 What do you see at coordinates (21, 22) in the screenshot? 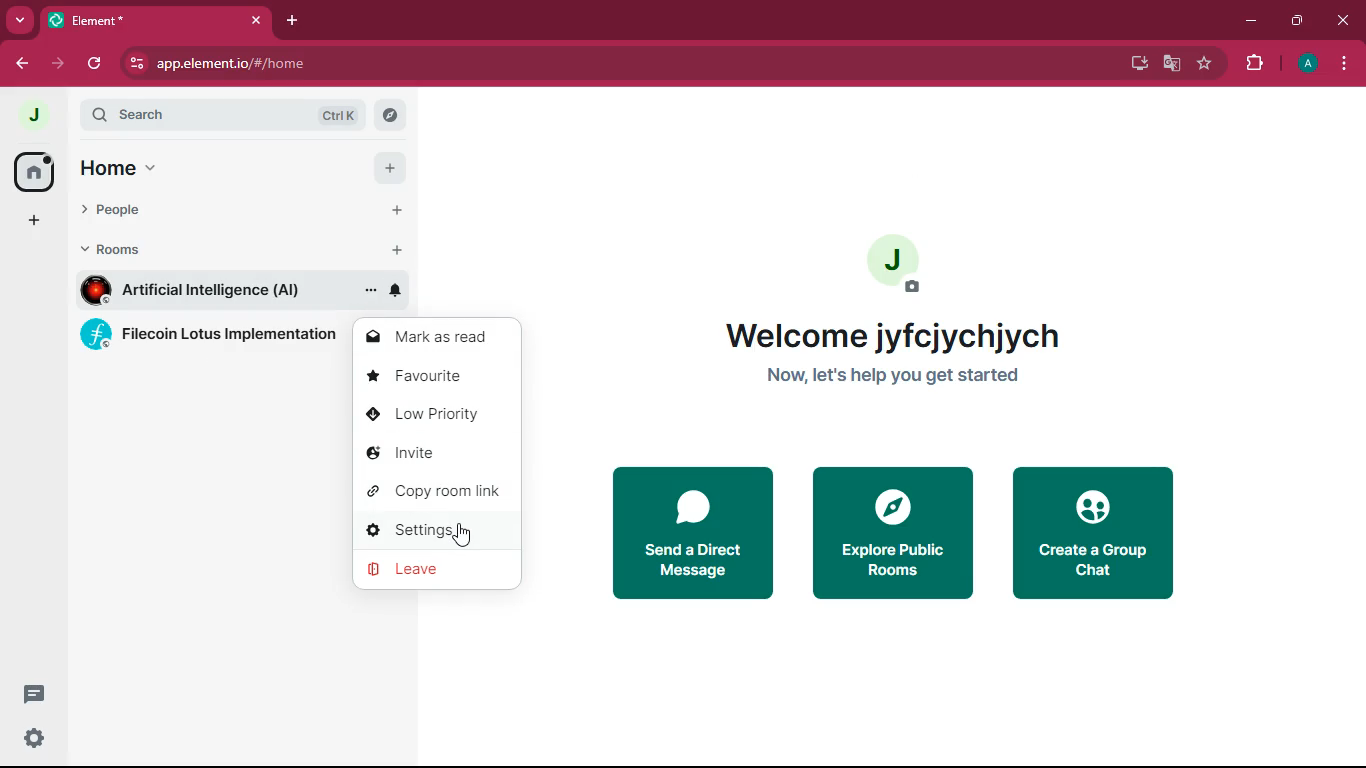
I see `more` at bounding box center [21, 22].